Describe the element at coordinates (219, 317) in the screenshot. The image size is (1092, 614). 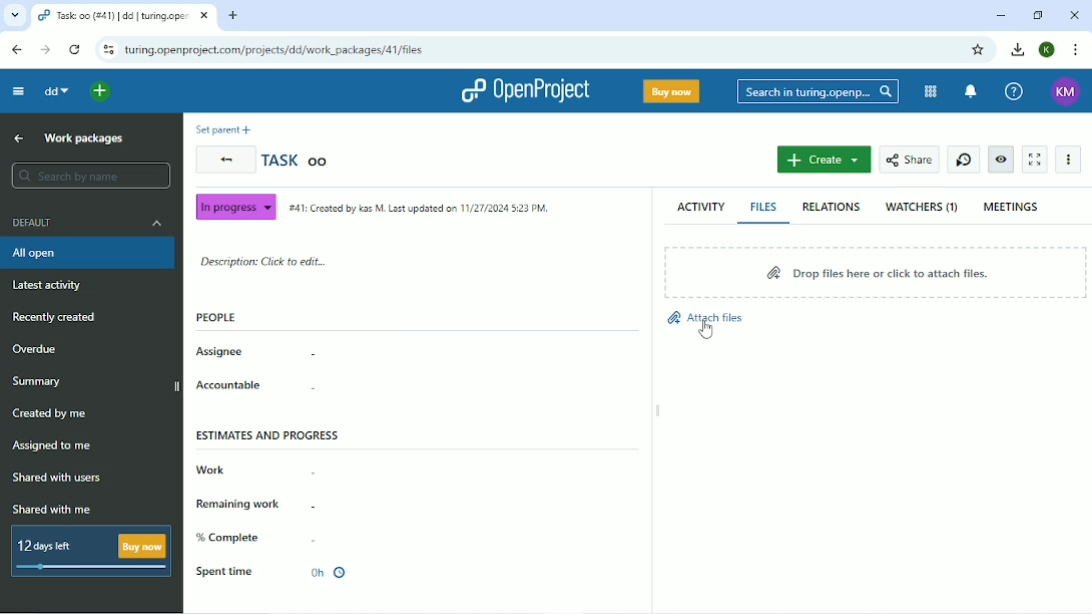
I see `People` at that location.